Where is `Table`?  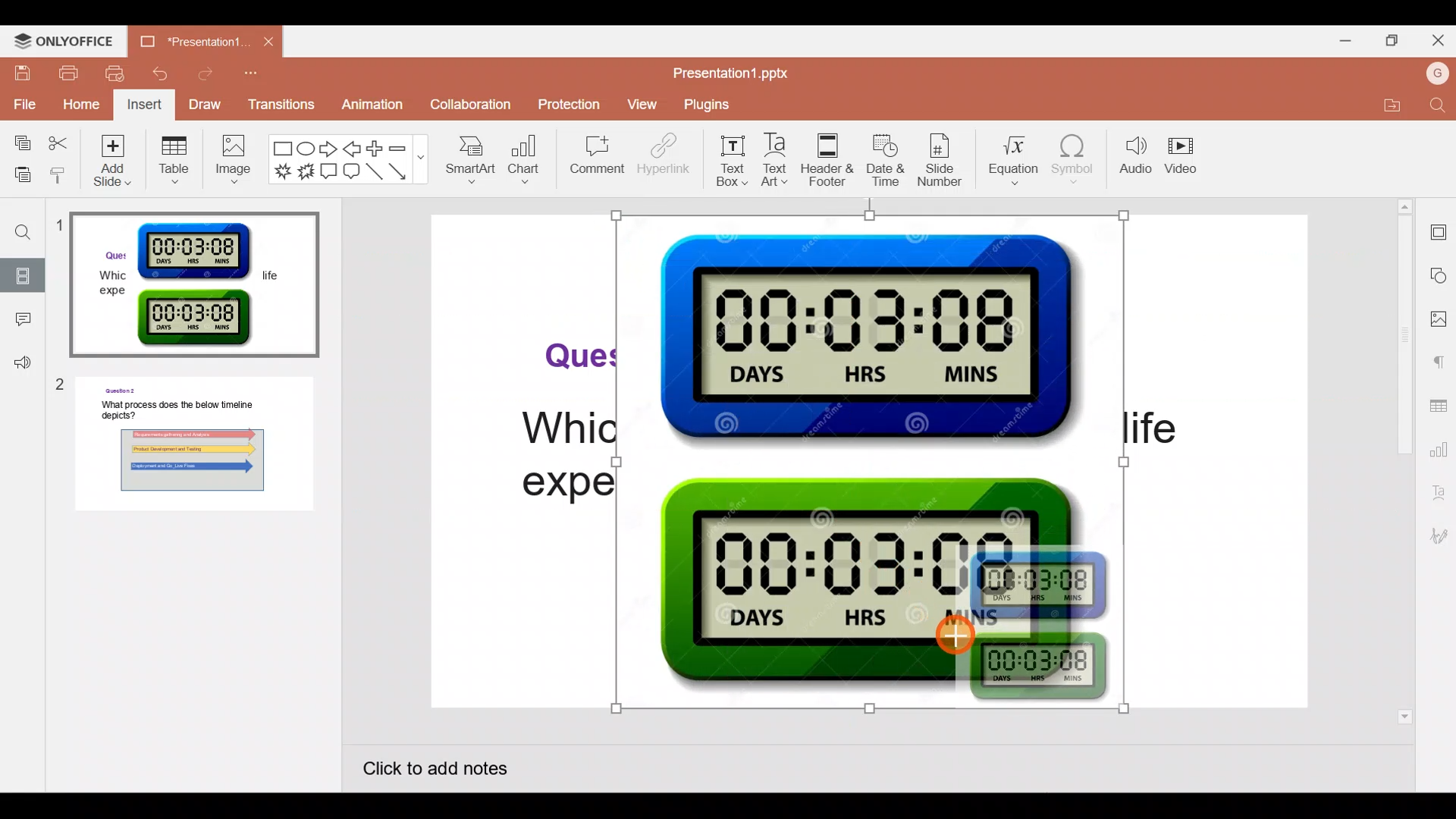 Table is located at coordinates (174, 165).